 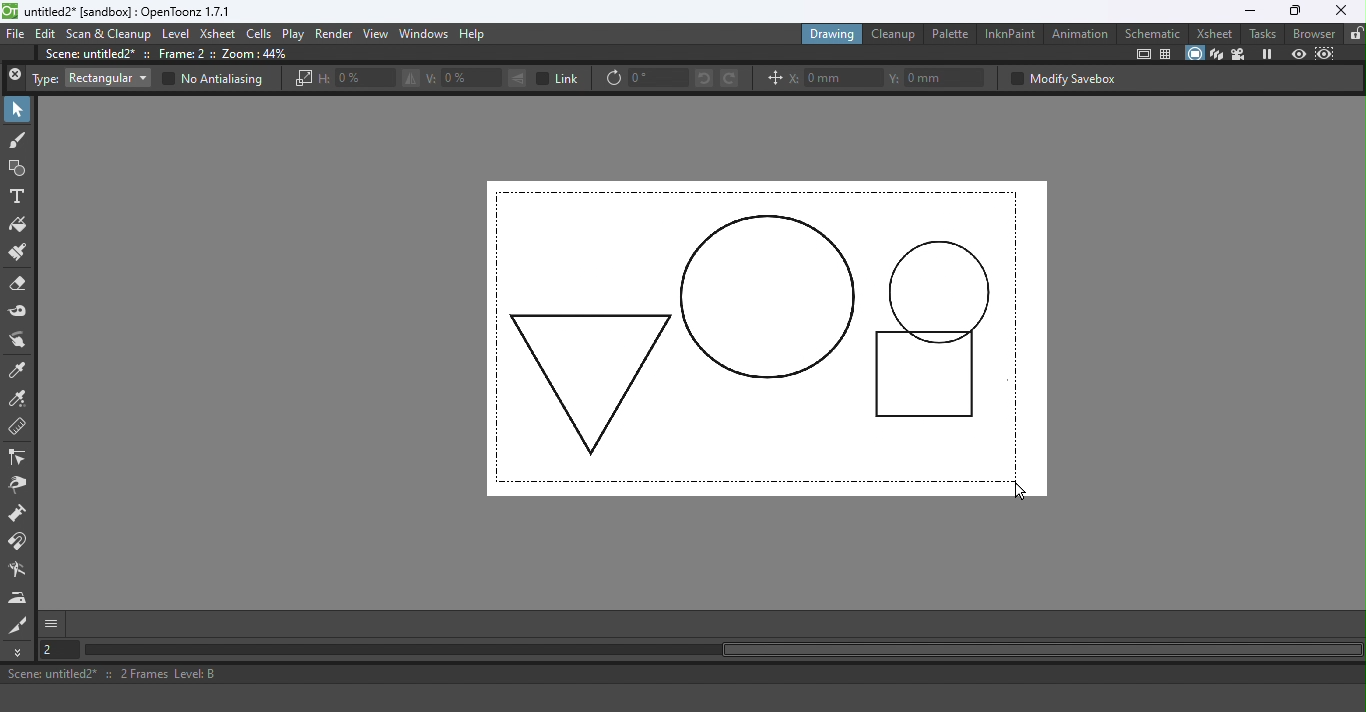 I want to click on Cutter tool, so click(x=18, y=625).